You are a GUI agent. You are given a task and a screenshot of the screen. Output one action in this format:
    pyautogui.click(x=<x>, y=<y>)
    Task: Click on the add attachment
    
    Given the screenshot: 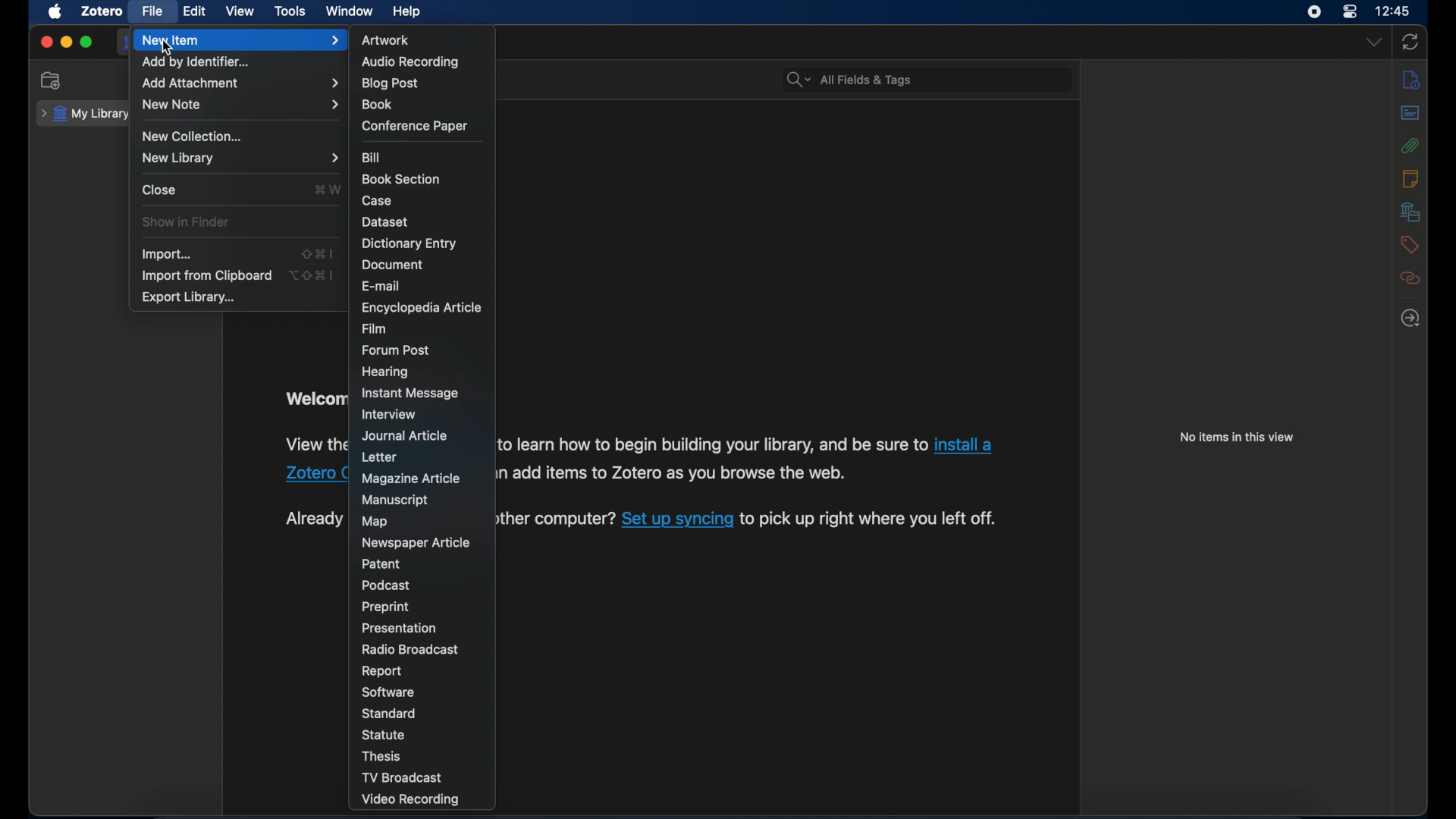 What is the action you would take?
    pyautogui.click(x=238, y=83)
    